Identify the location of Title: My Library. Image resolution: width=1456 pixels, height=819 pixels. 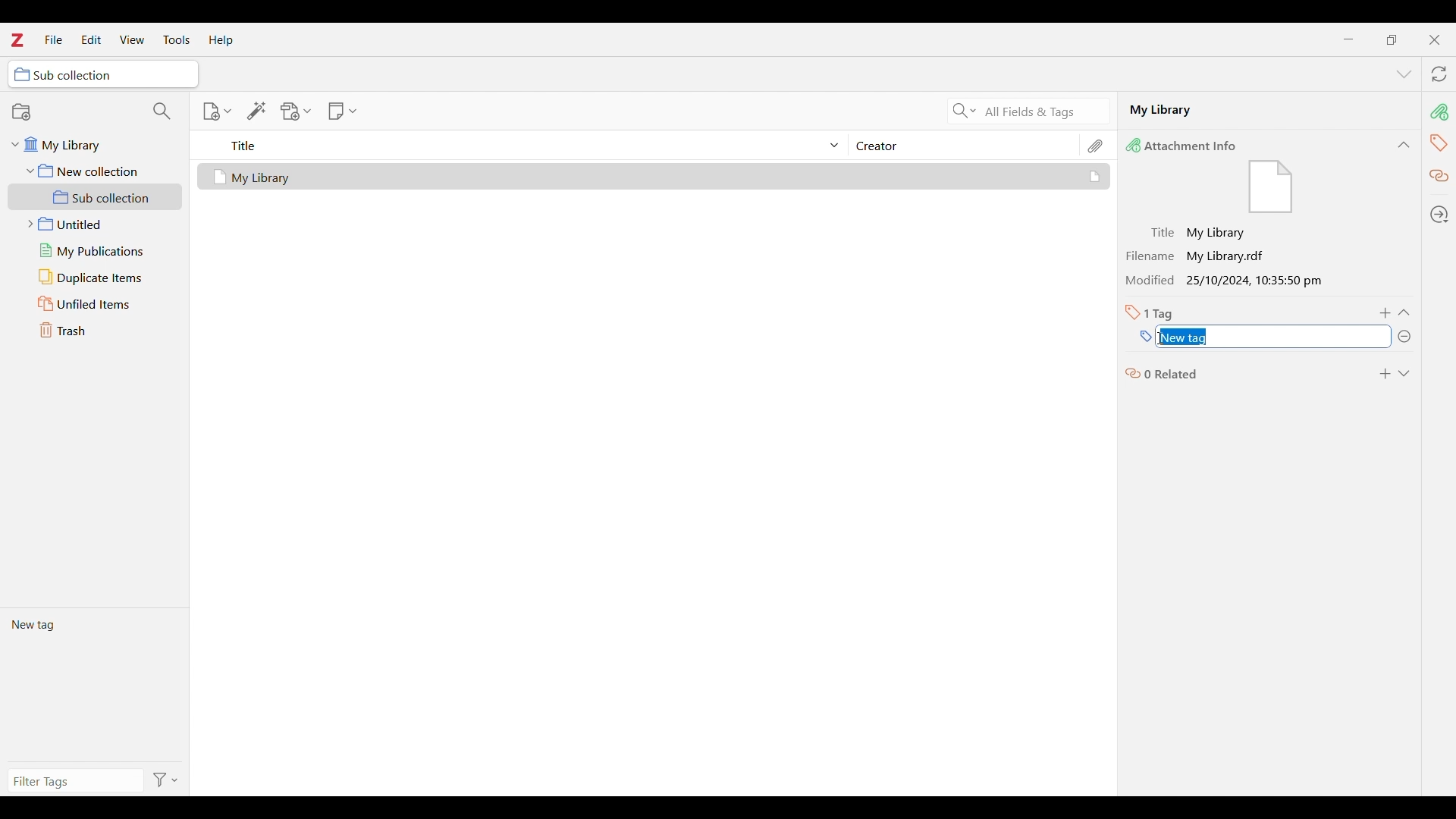
(1200, 233).